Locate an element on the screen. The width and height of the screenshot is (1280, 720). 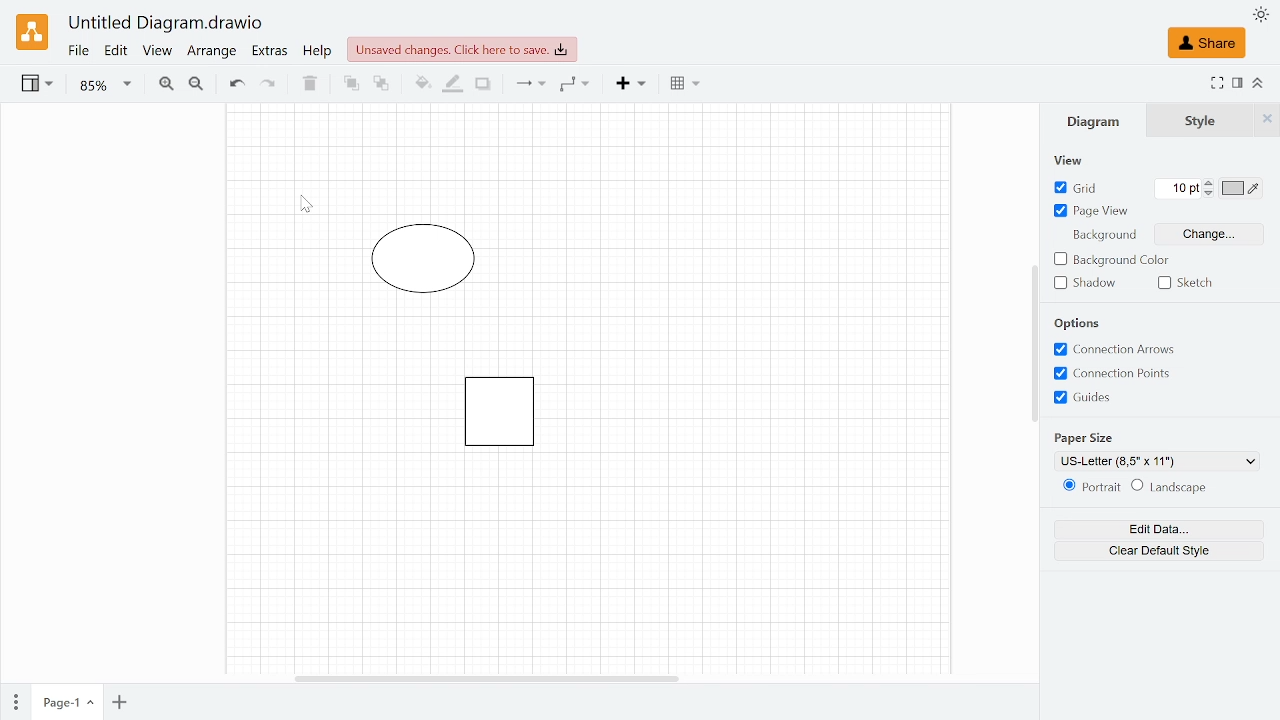
TO front is located at coordinates (350, 84).